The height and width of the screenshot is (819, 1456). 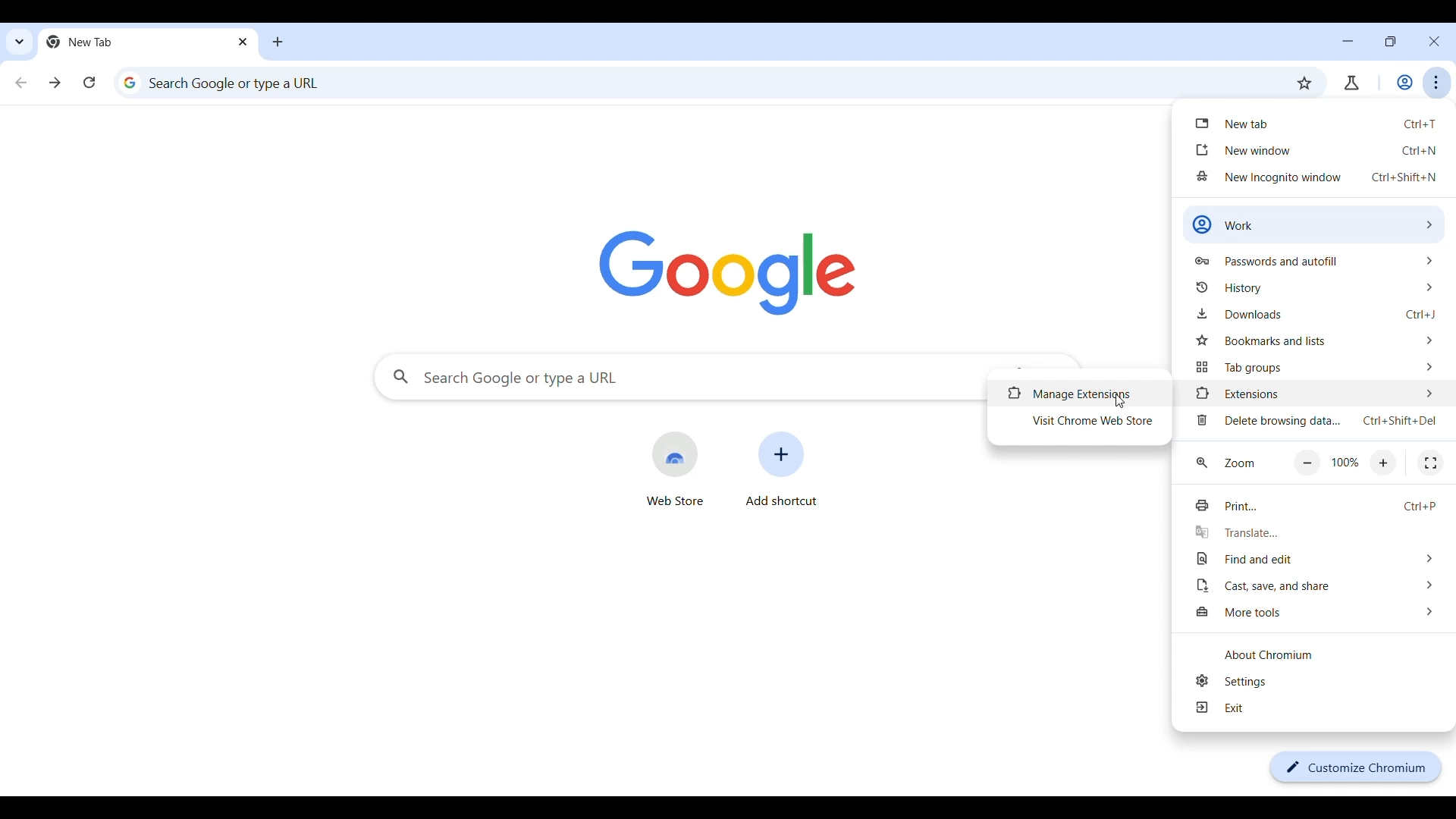 I want to click on Current/Default zoom factor of the page, so click(x=1345, y=462).